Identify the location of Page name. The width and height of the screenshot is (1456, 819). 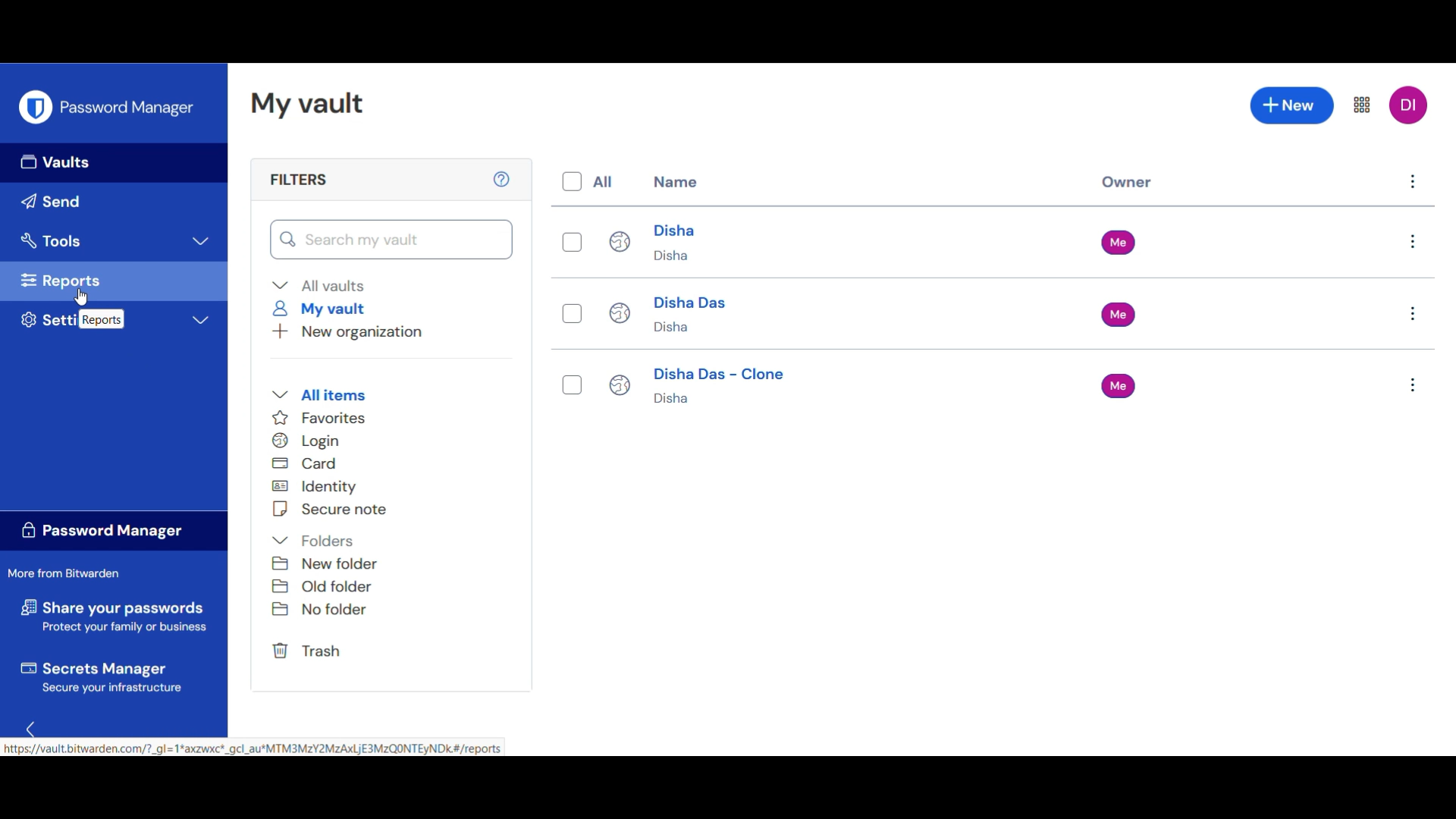
(310, 104).